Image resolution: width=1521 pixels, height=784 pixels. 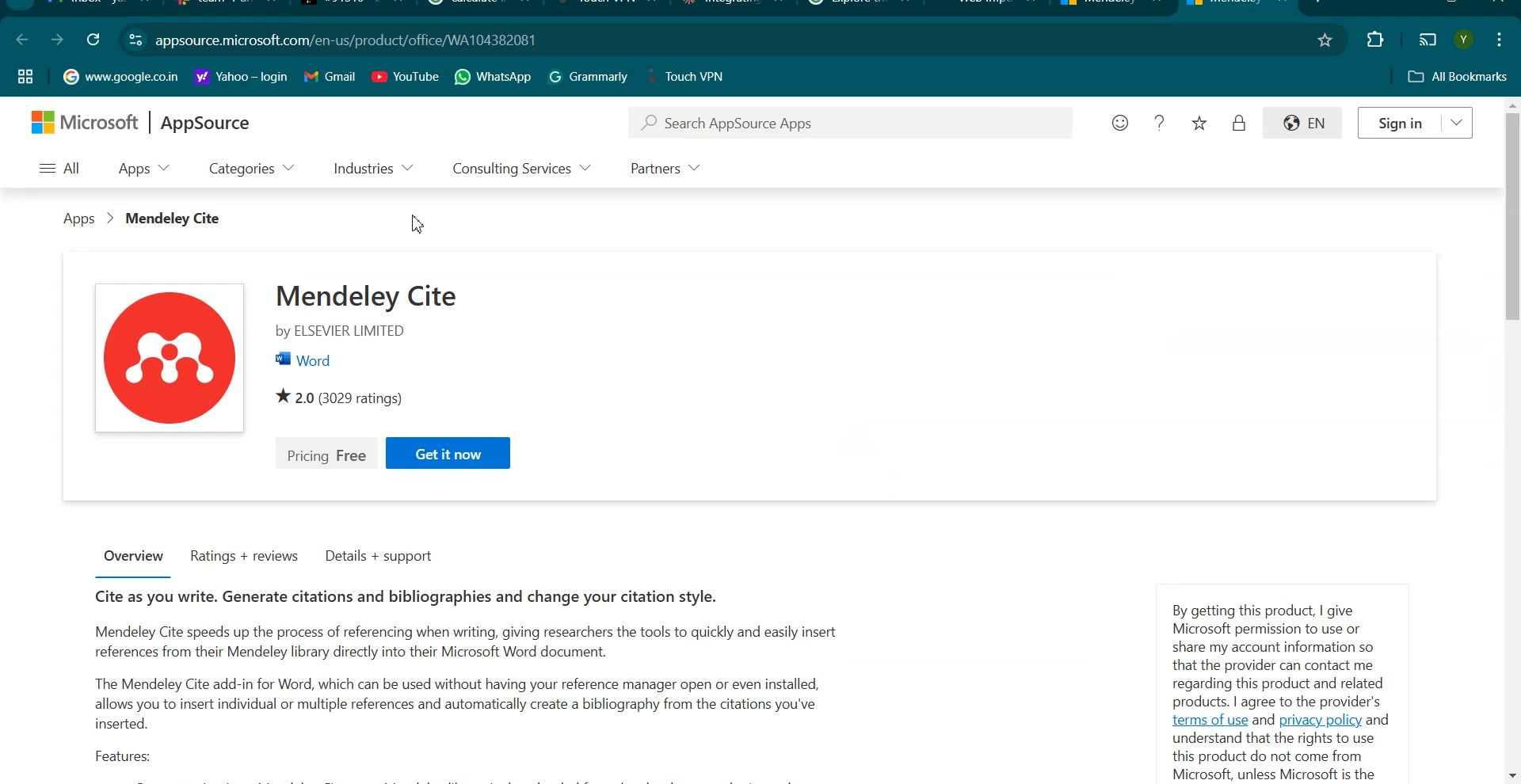 I want to click on Logo, so click(x=140, y=122).